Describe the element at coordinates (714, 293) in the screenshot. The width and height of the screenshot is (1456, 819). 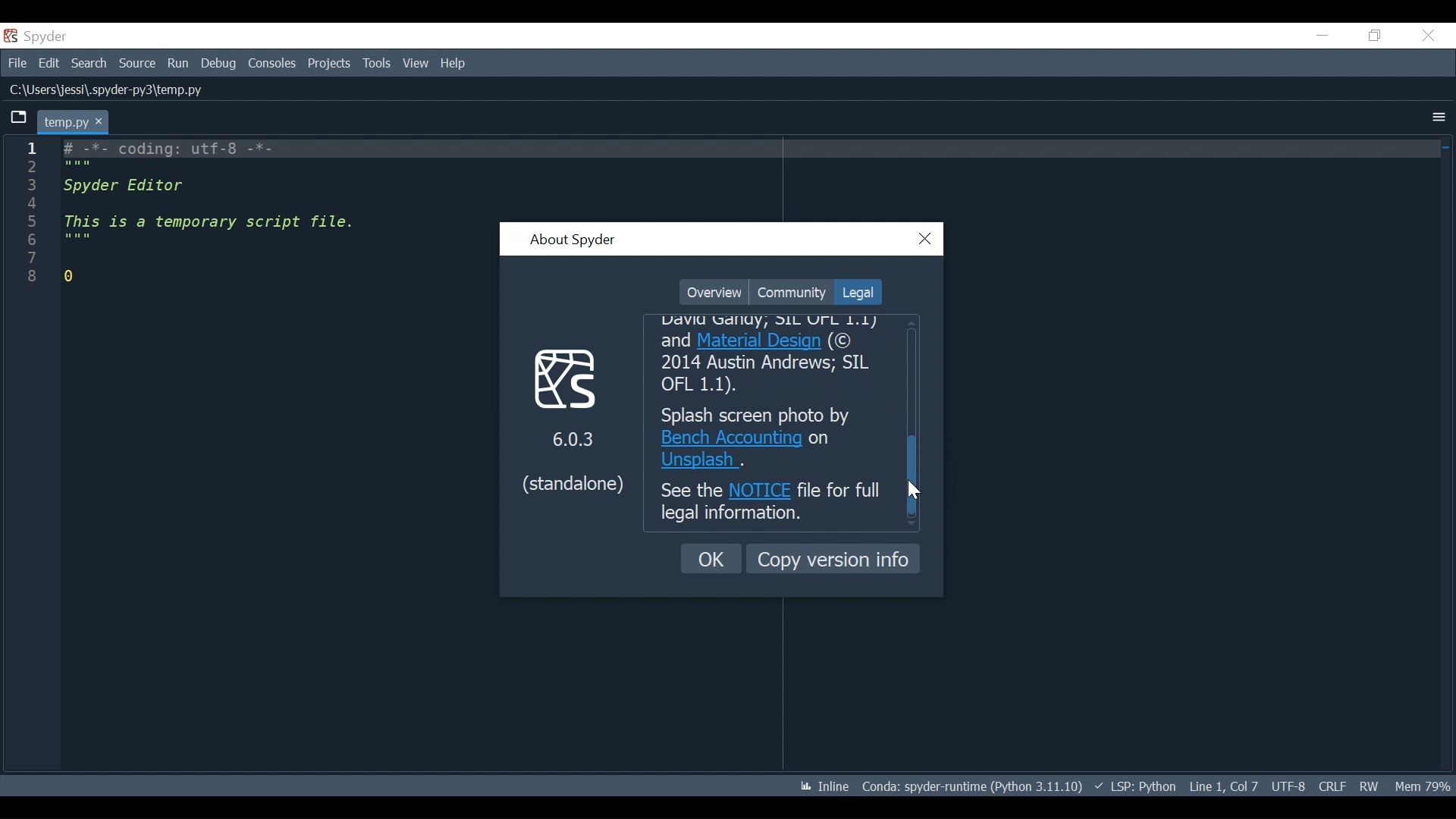
I see `Overview` at that location.